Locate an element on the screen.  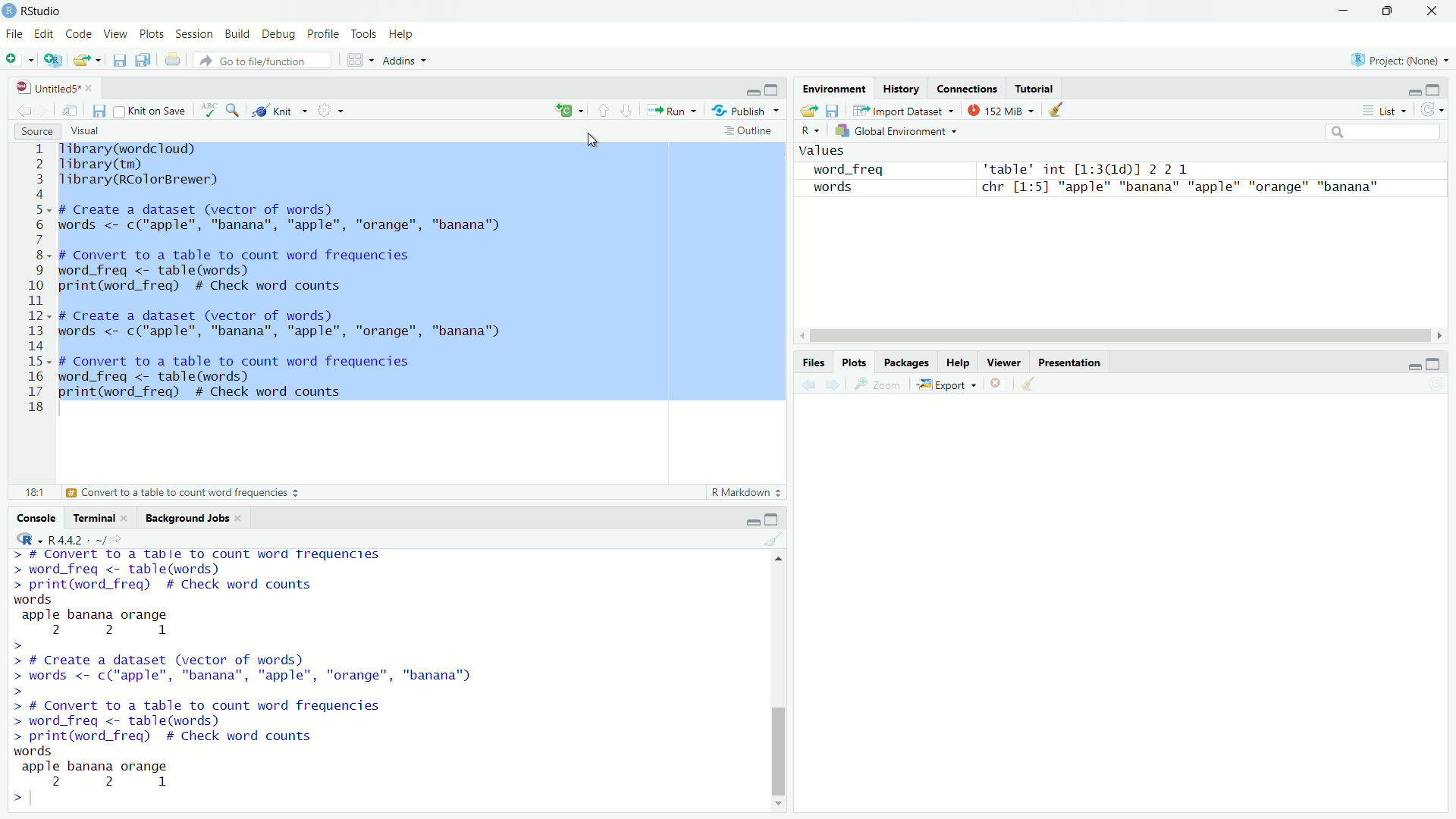
Number line is located at coordinates (36, 279).